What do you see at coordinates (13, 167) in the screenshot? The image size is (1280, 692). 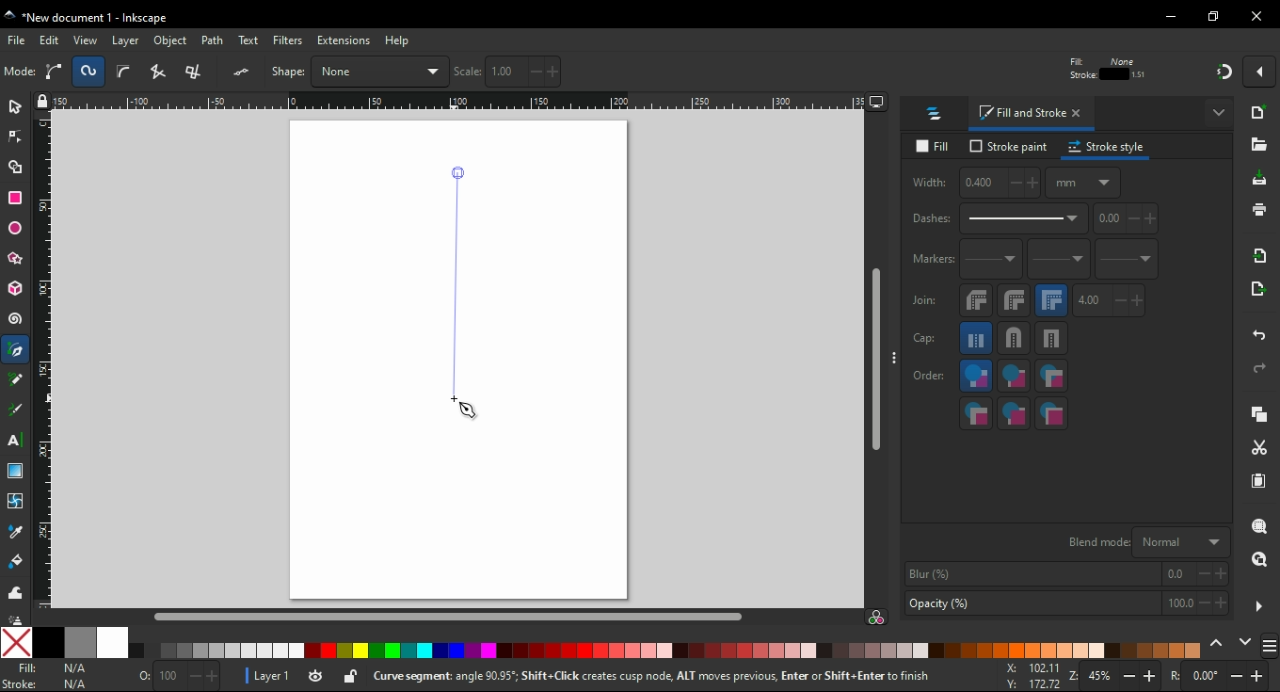 I see `shape builder tool` at bounding box center [13, 167].